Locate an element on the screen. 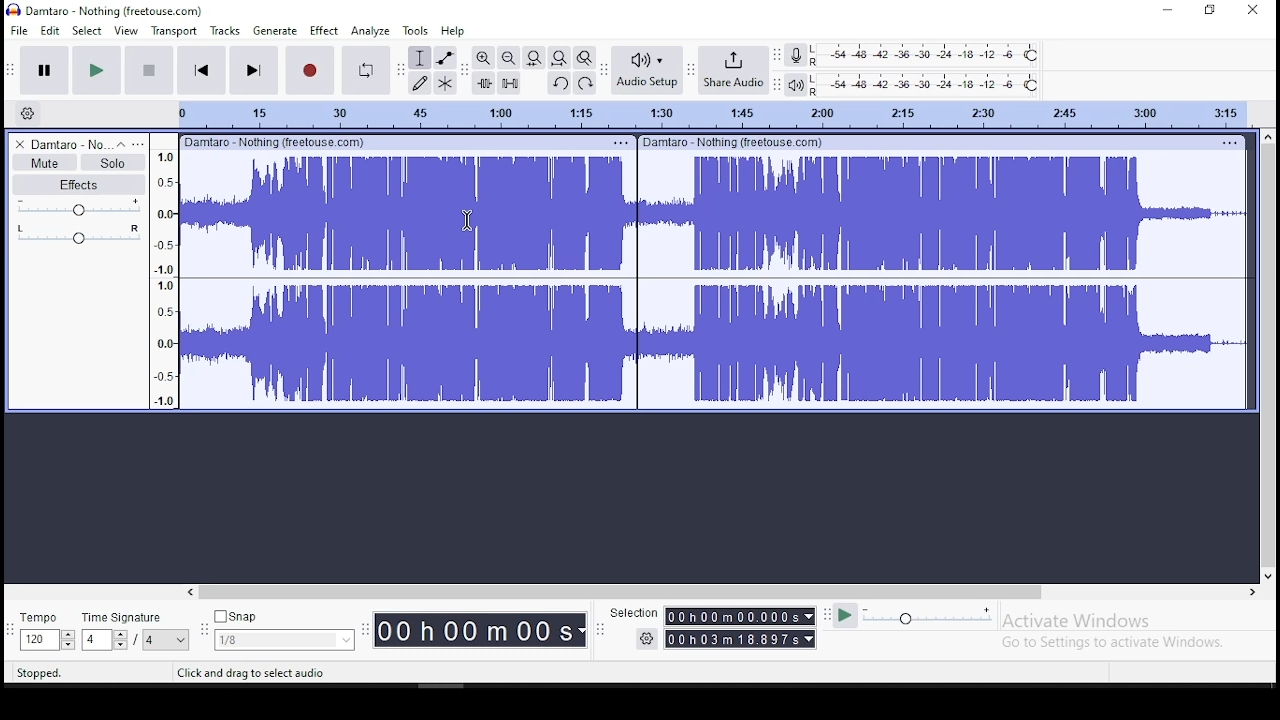 This screenshot has height=720, width=1280. play is located at coordinates (95, 70).